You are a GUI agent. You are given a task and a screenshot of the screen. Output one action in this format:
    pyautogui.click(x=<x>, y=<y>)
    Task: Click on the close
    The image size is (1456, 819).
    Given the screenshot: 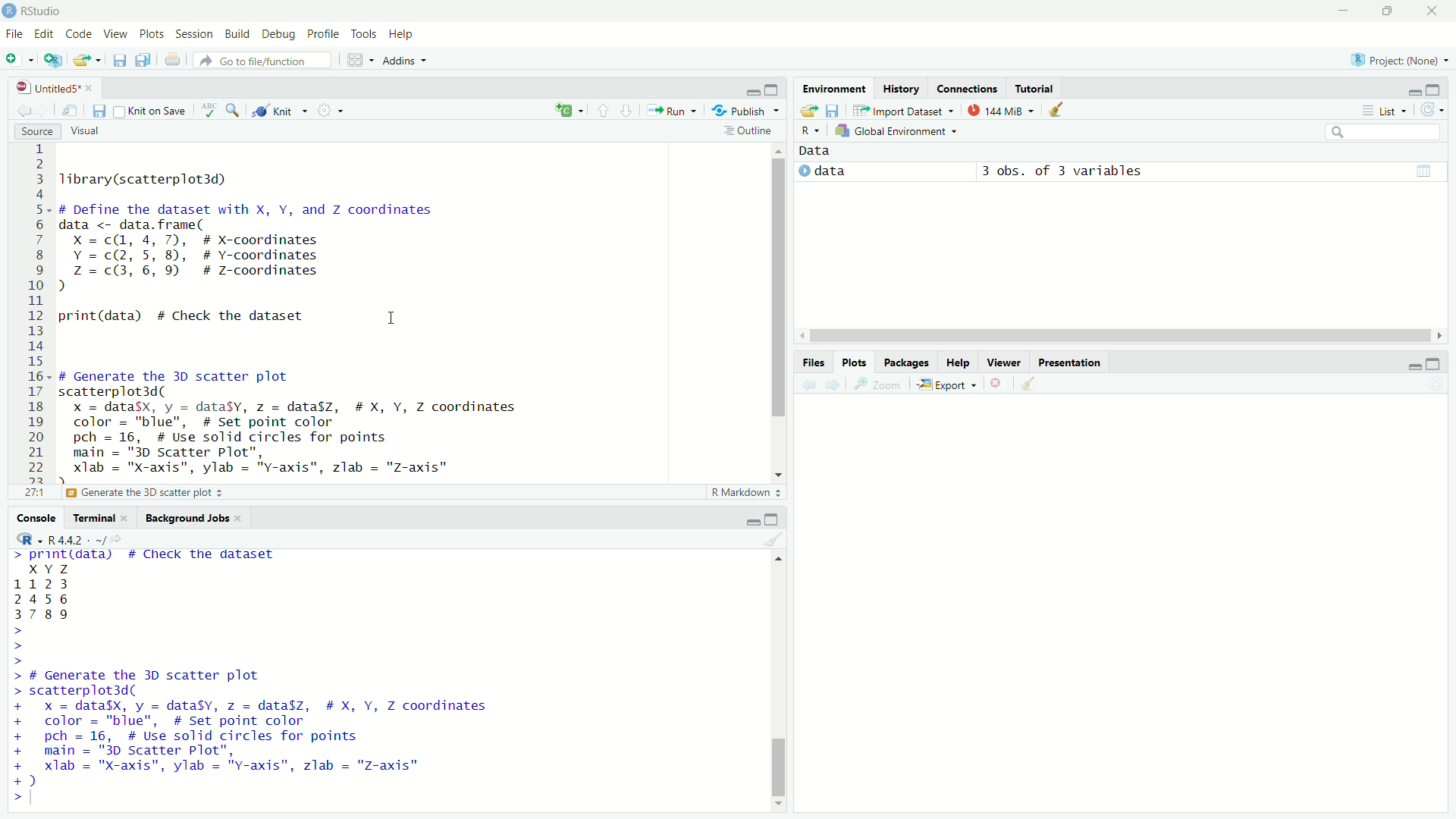 What is the action you would take?
    pyautogui.click(x=96, y=89)
    